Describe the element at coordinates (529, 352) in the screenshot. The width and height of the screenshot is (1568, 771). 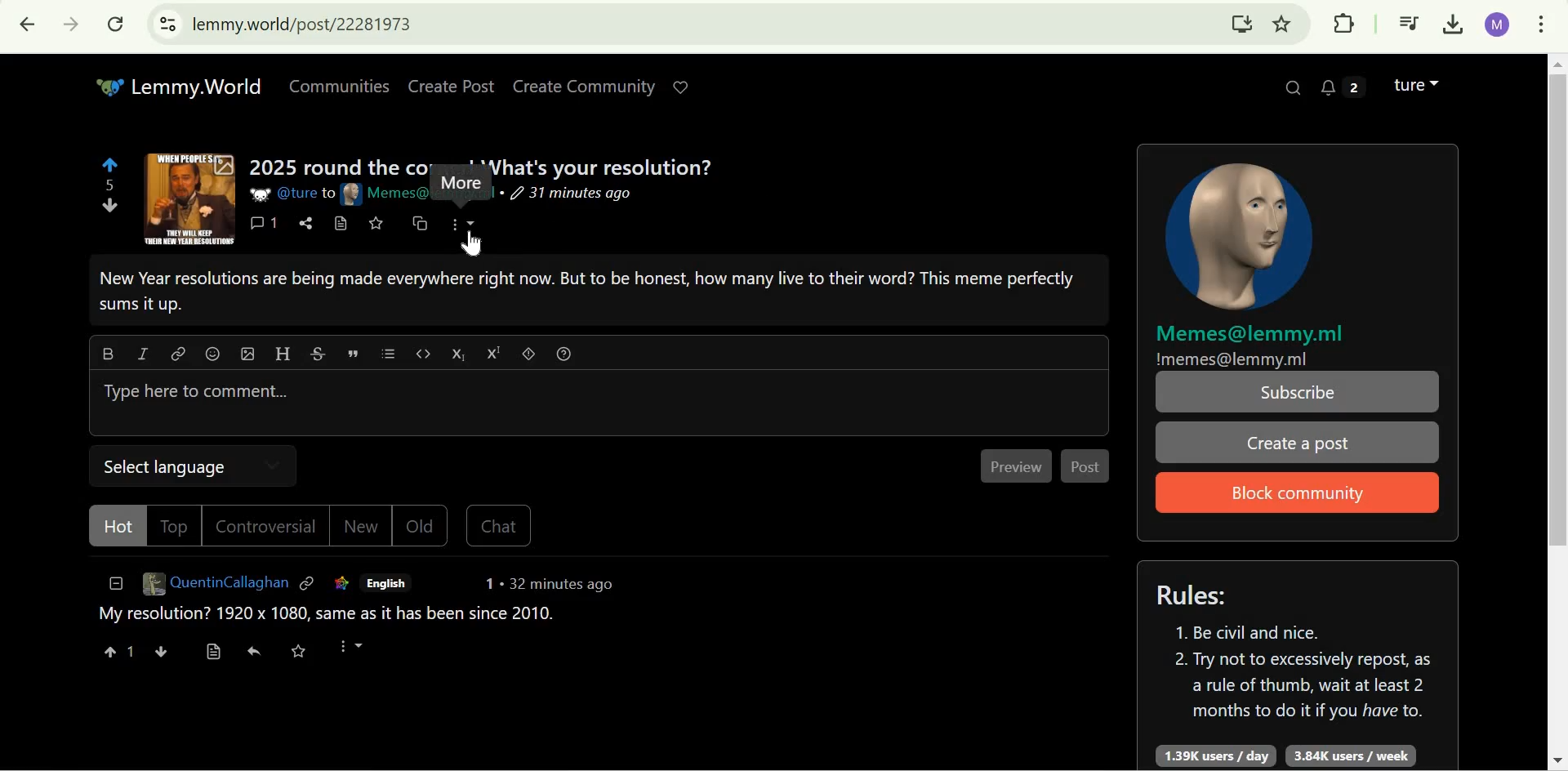
I see `spoiler` at that location.